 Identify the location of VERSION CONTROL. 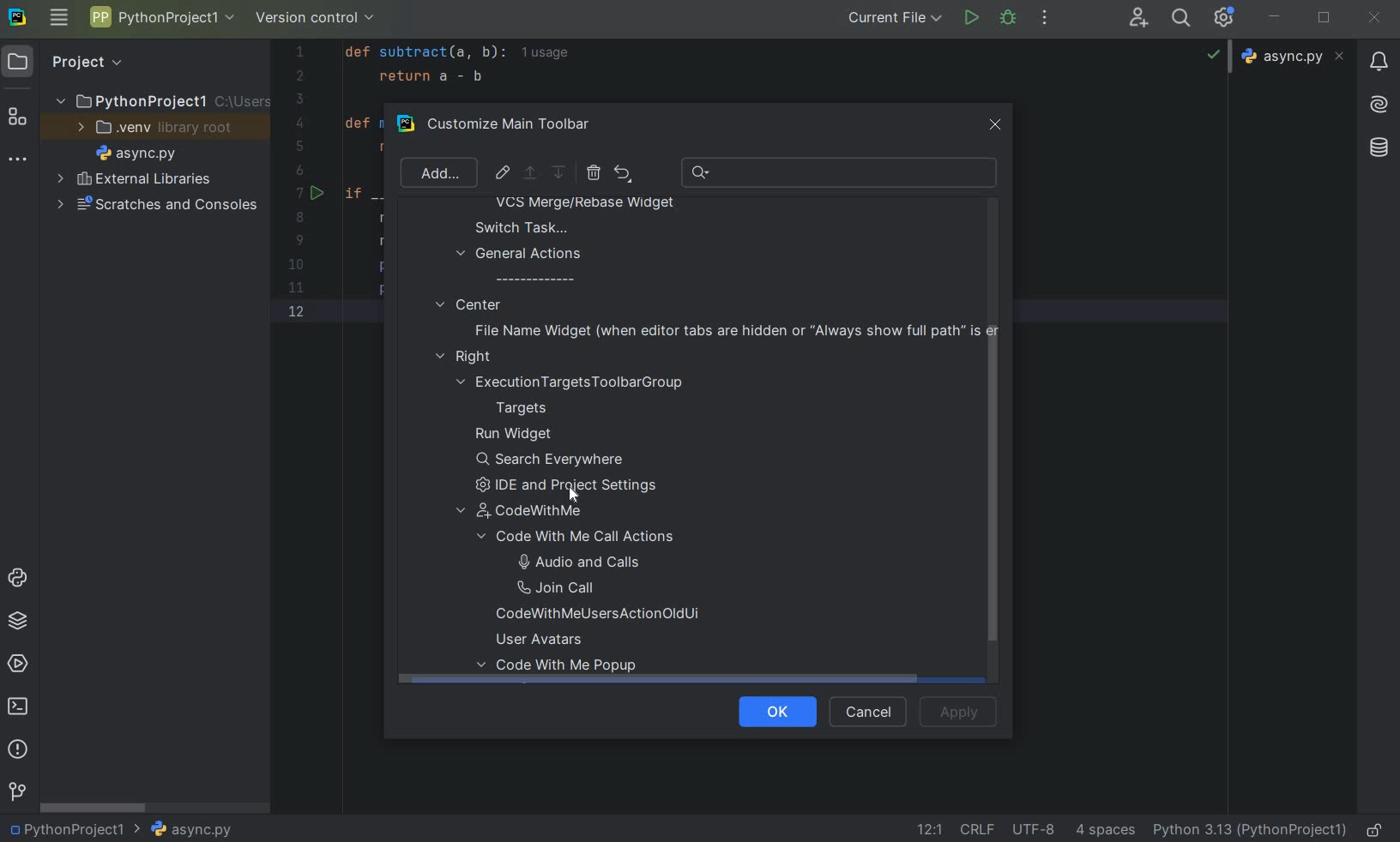
(16, 791).